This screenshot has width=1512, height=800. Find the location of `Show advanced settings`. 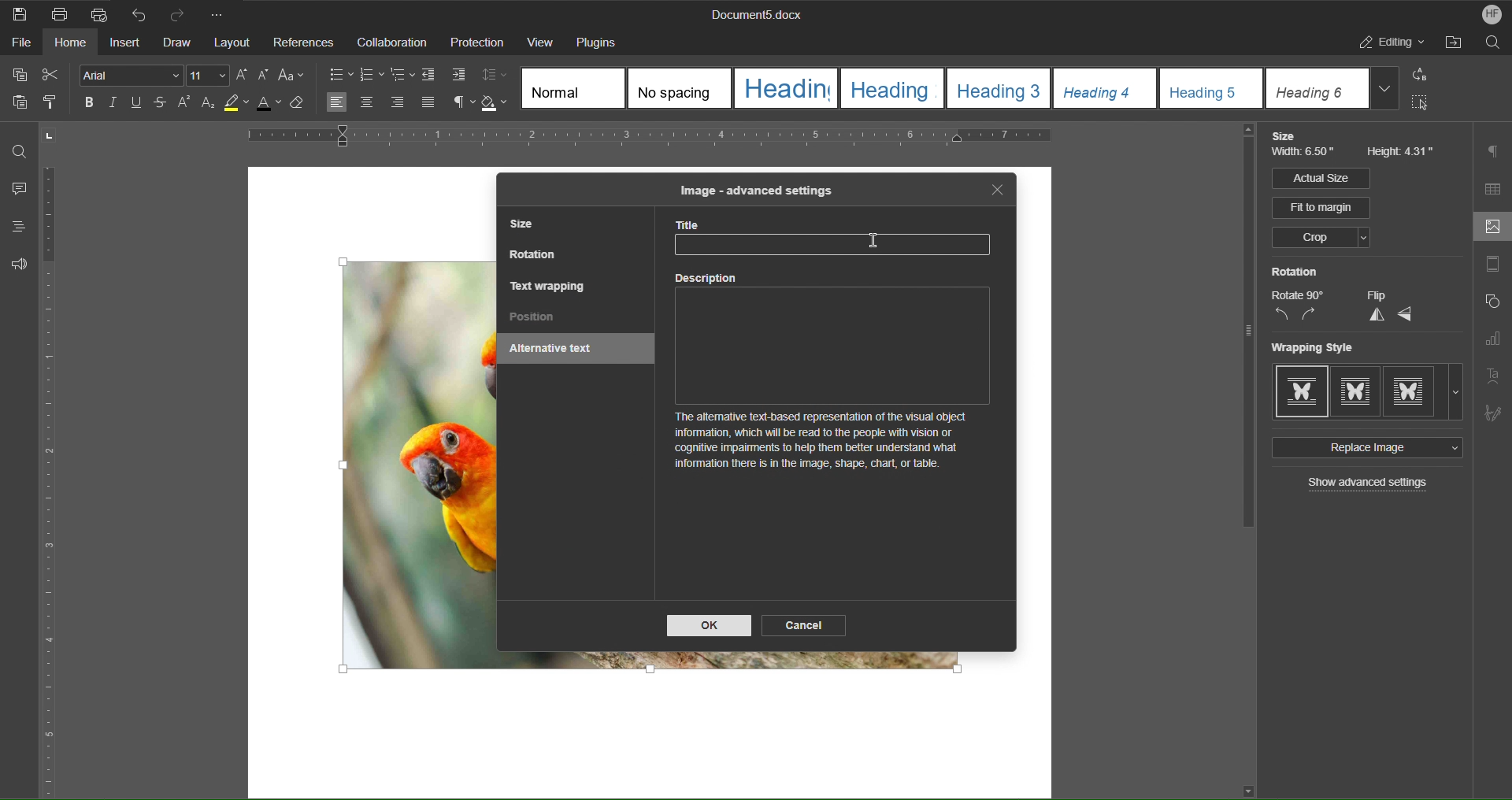

Show advanced settings is located at coordinates (1369, 484).